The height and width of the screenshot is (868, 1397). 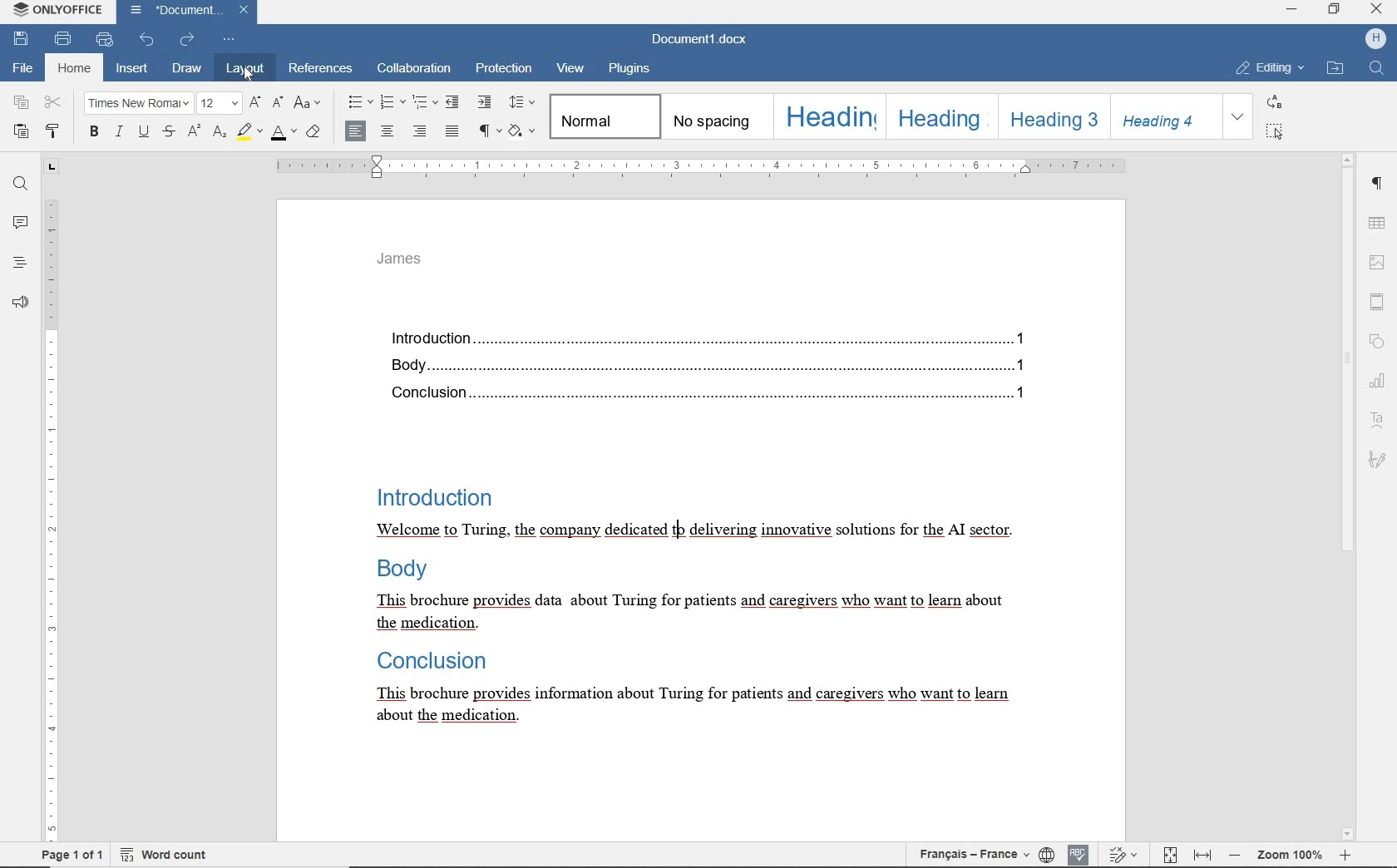 I want to click on align center, so click(x=387, y=130).